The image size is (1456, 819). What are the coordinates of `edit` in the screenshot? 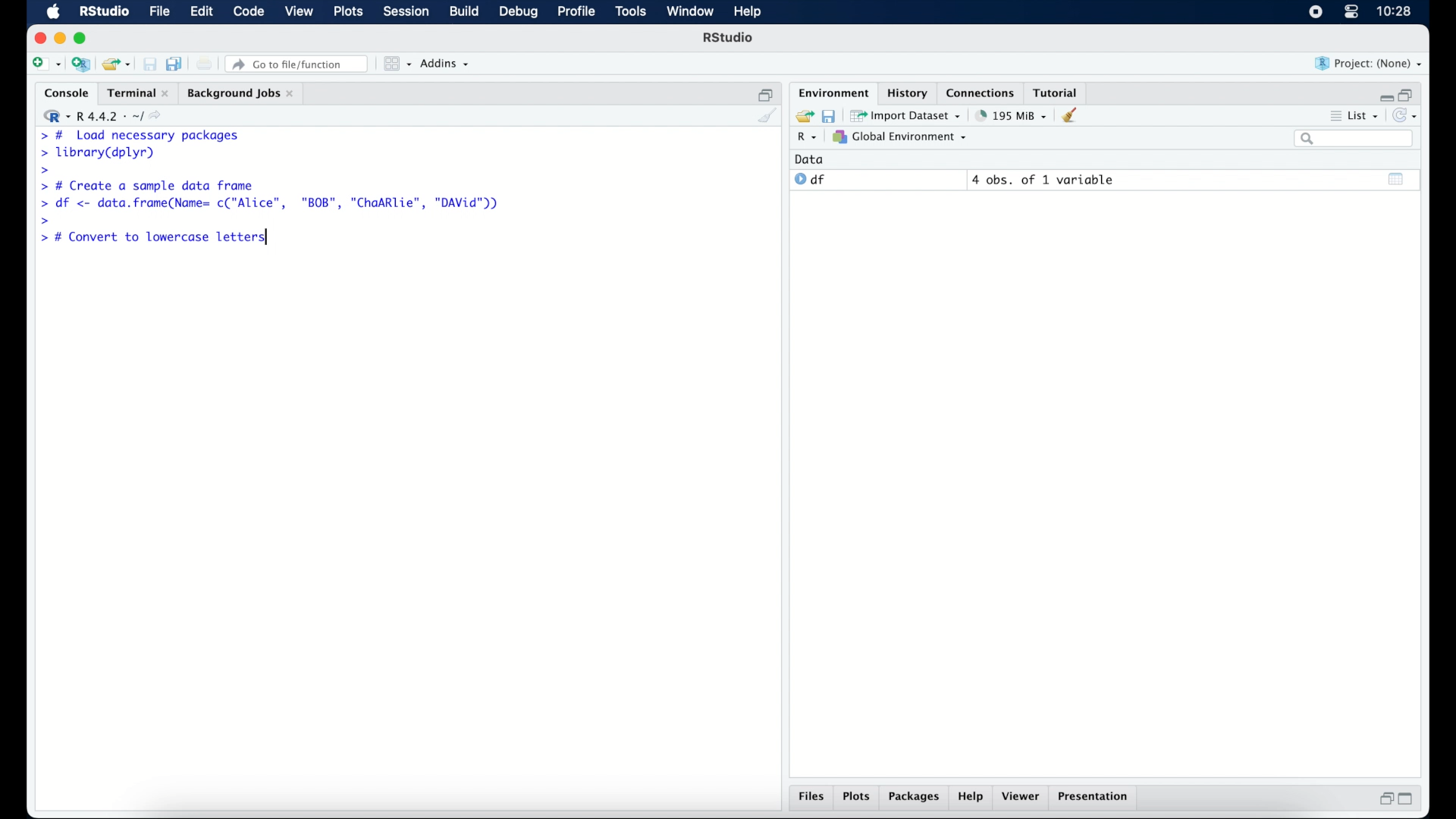 It's located at (200, 12).